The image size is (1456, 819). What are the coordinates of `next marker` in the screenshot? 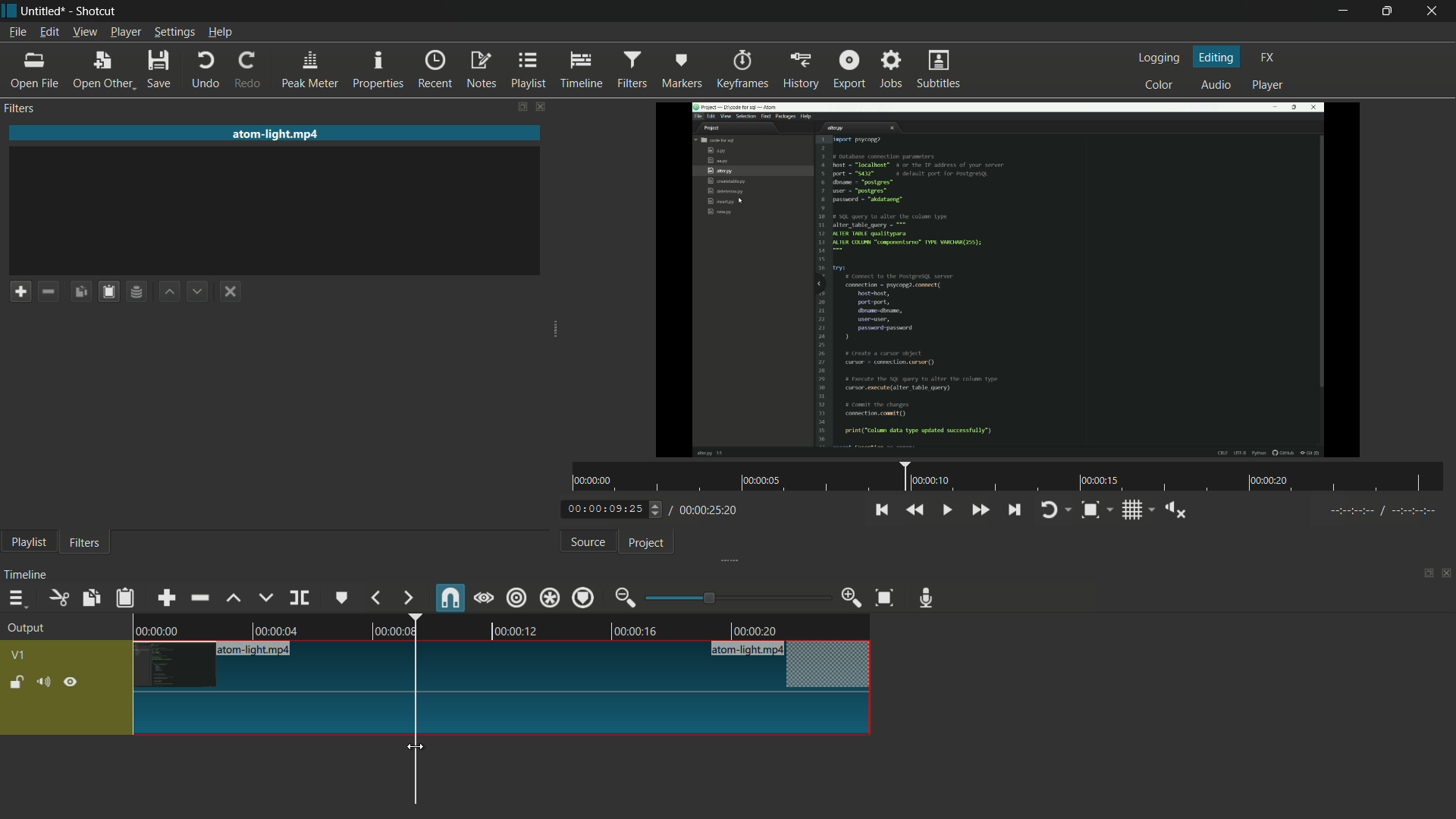 It's located at (407, 598).